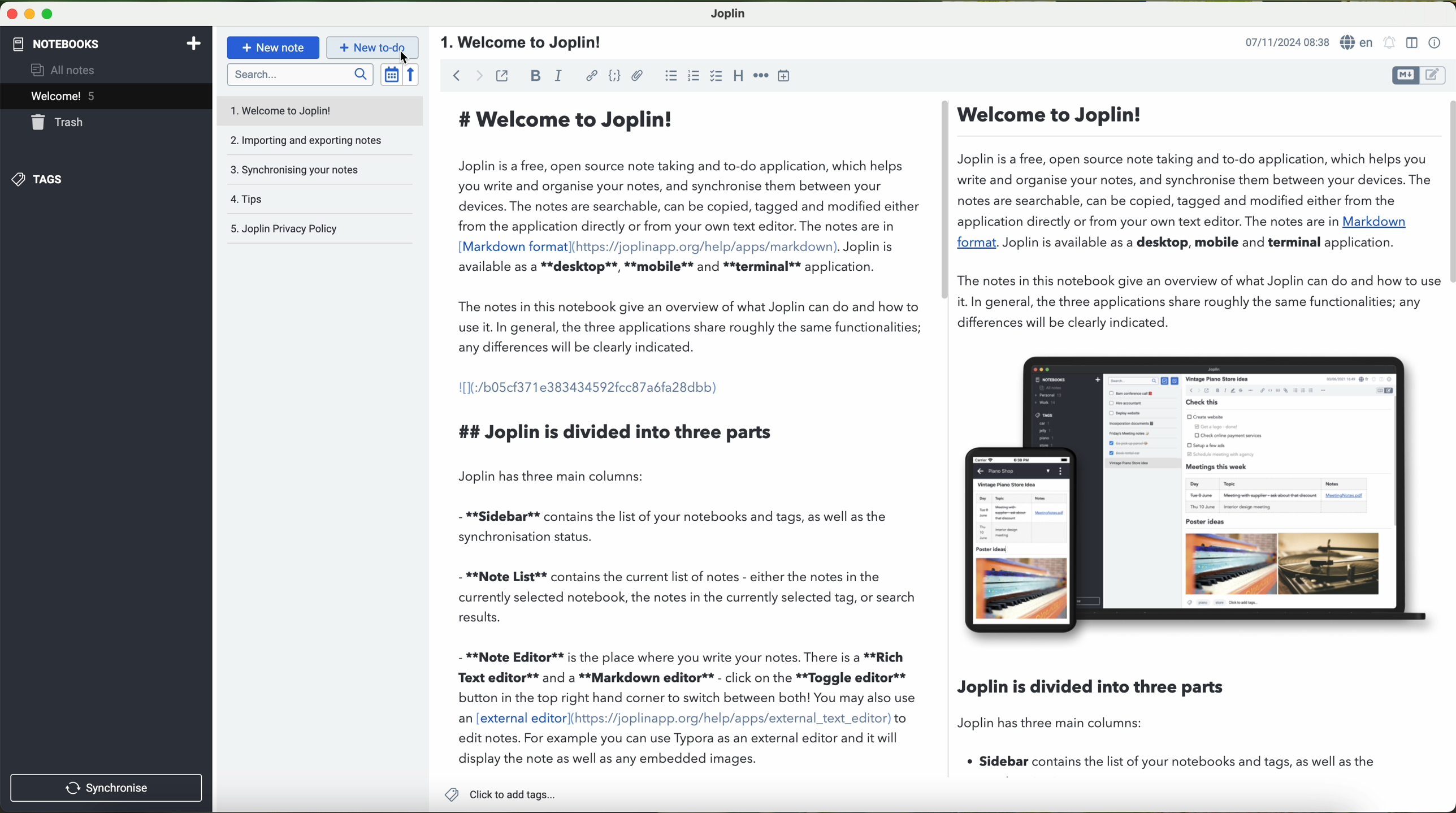  Describe the element at coordinates (28, 15) in the screenshot. I see `screen buttons` at that location.